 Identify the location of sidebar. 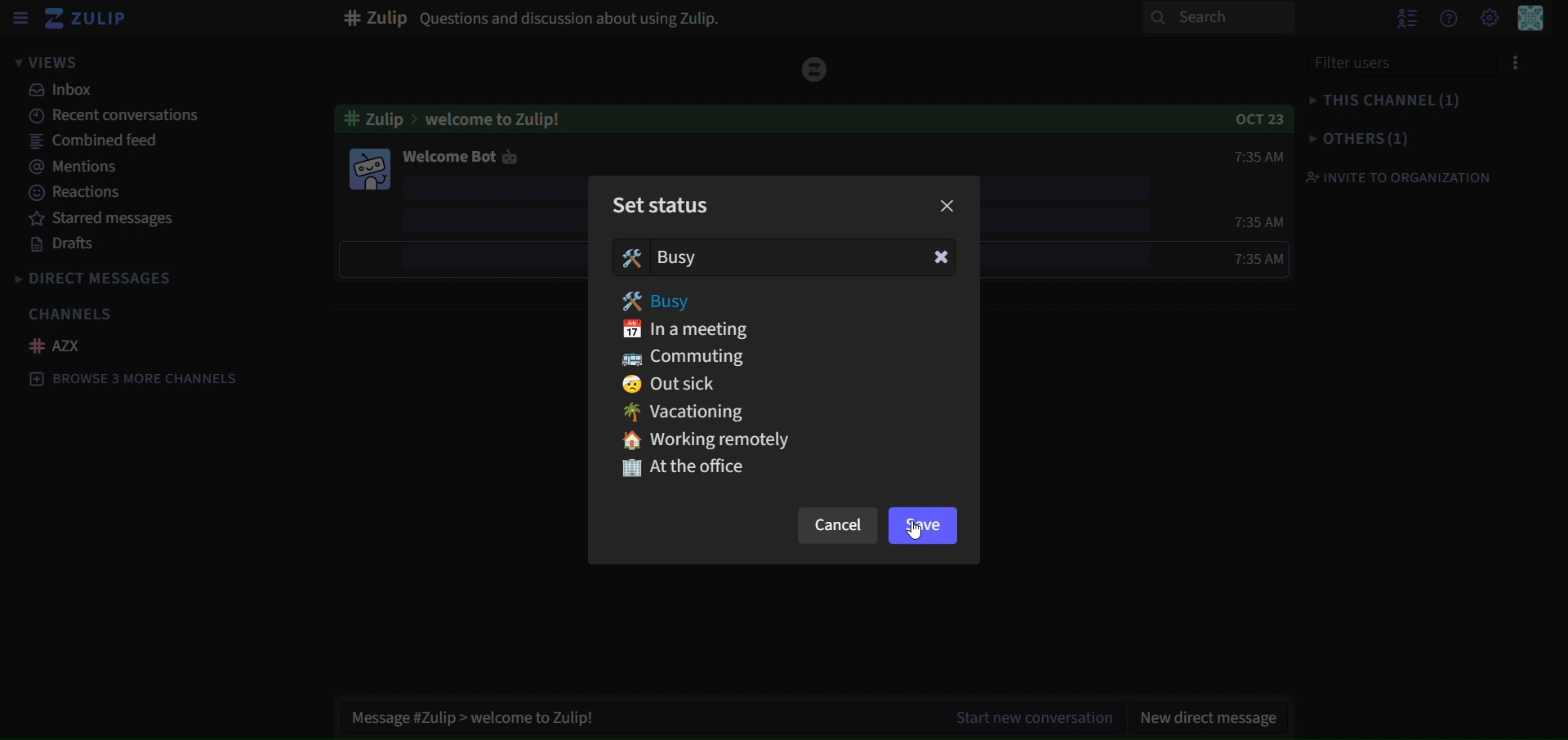
(20, 18).